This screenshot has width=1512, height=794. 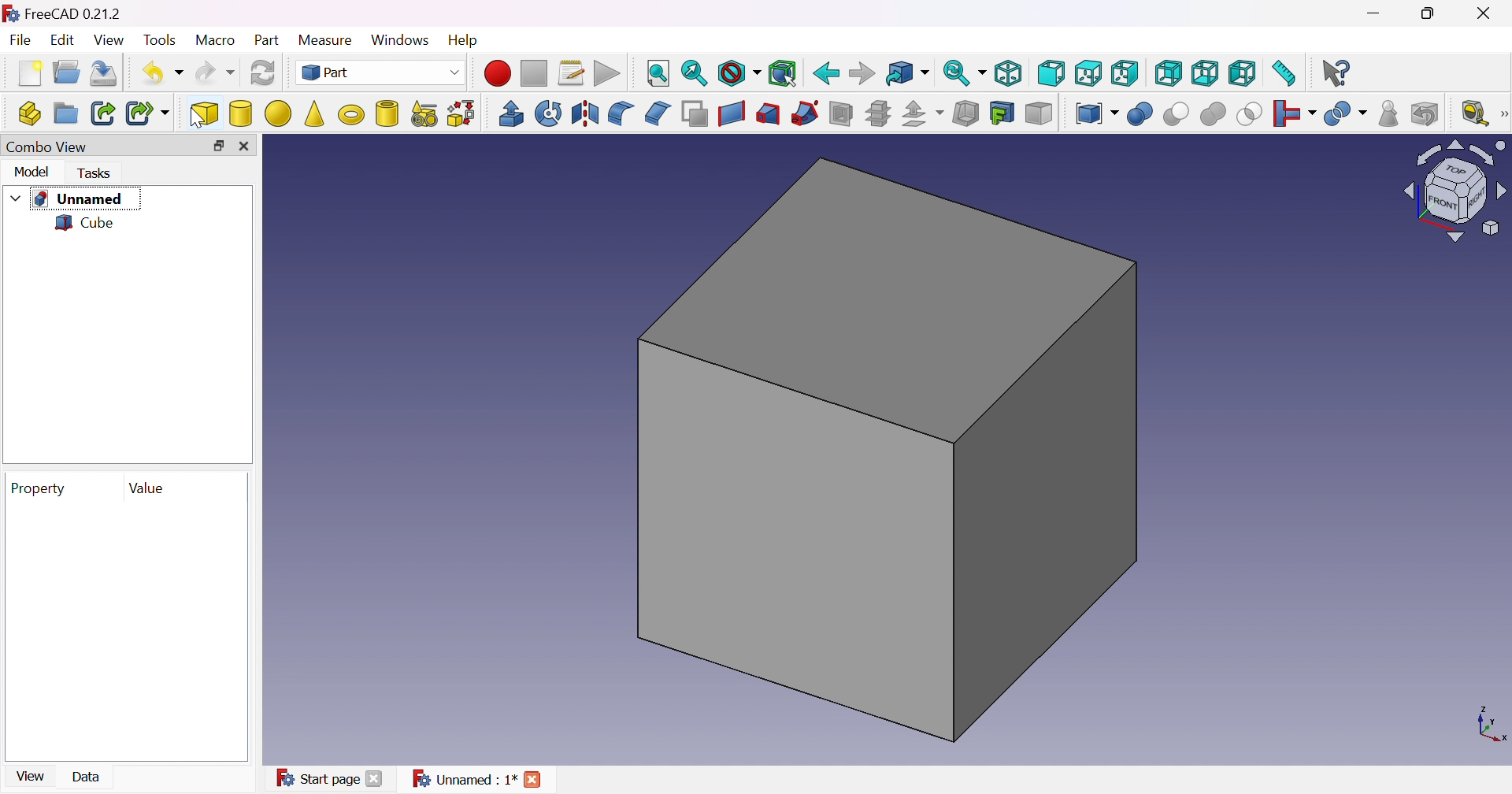 What do you see at coordinates (548, 113) in the screenshot?
I see `Revolve` at bounding box center [548, 113].